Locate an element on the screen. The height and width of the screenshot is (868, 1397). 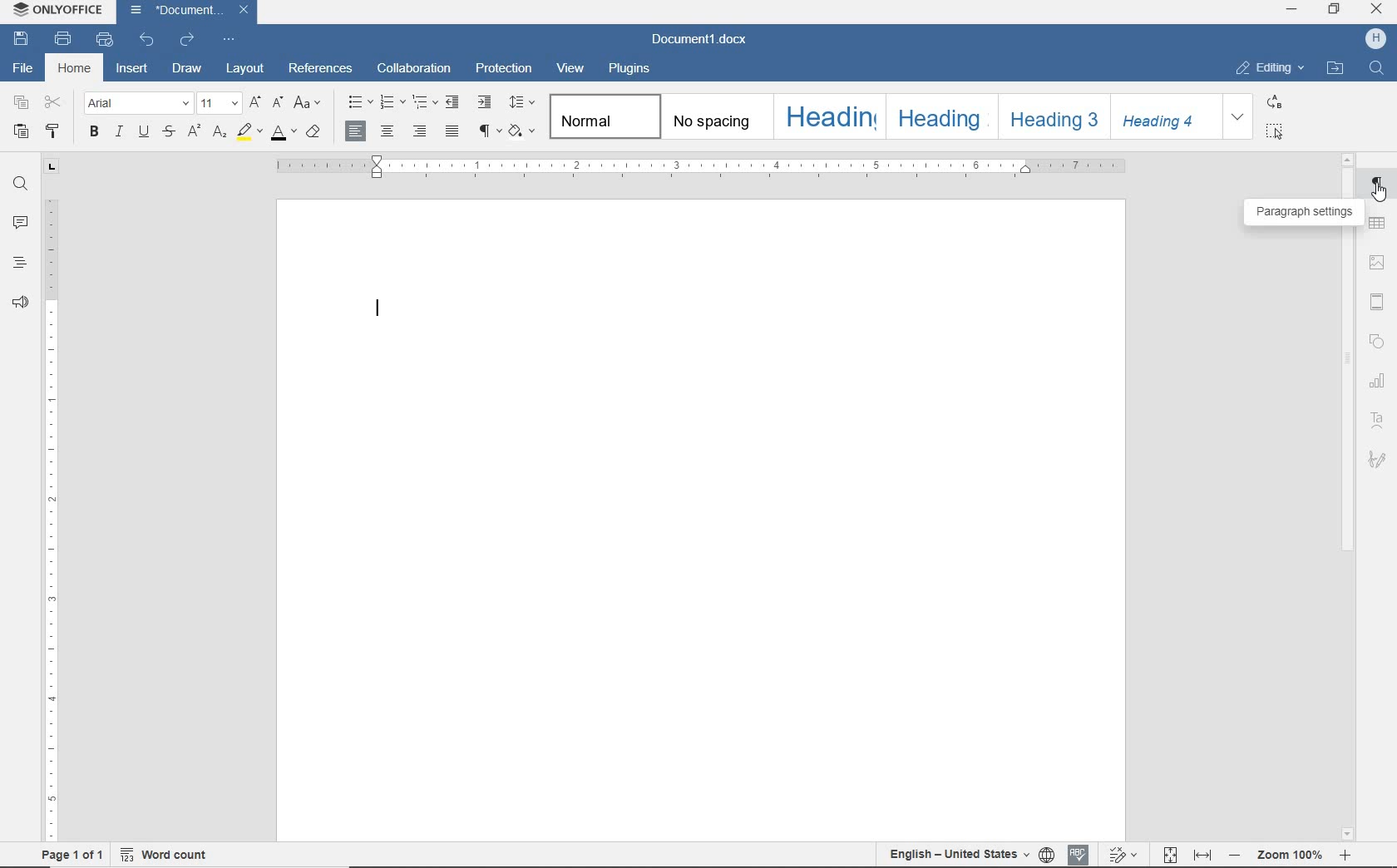
align left is located at coordinates (357, 132).